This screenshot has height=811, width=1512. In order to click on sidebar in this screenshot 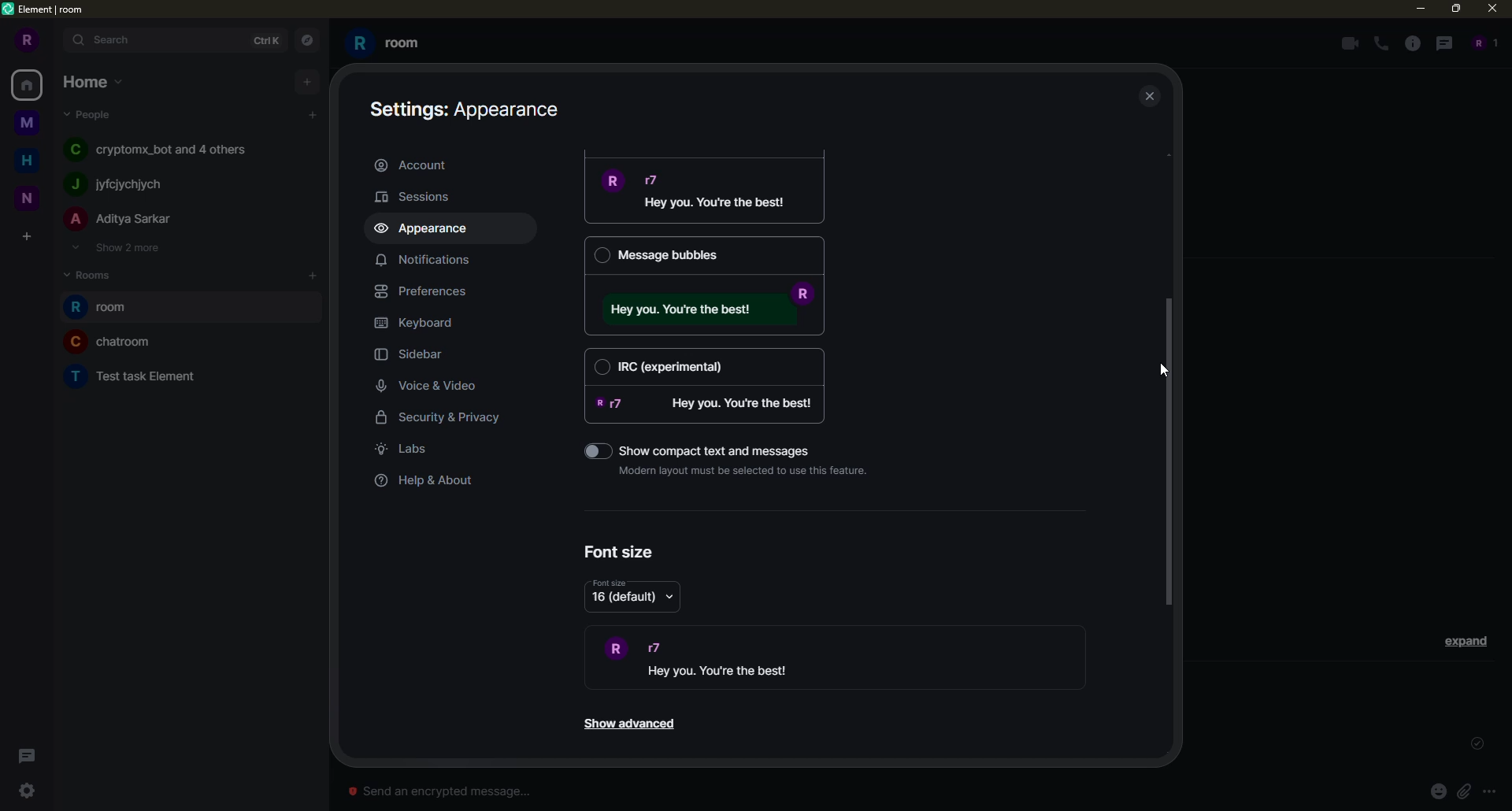, I will do `click(416, 356)`.